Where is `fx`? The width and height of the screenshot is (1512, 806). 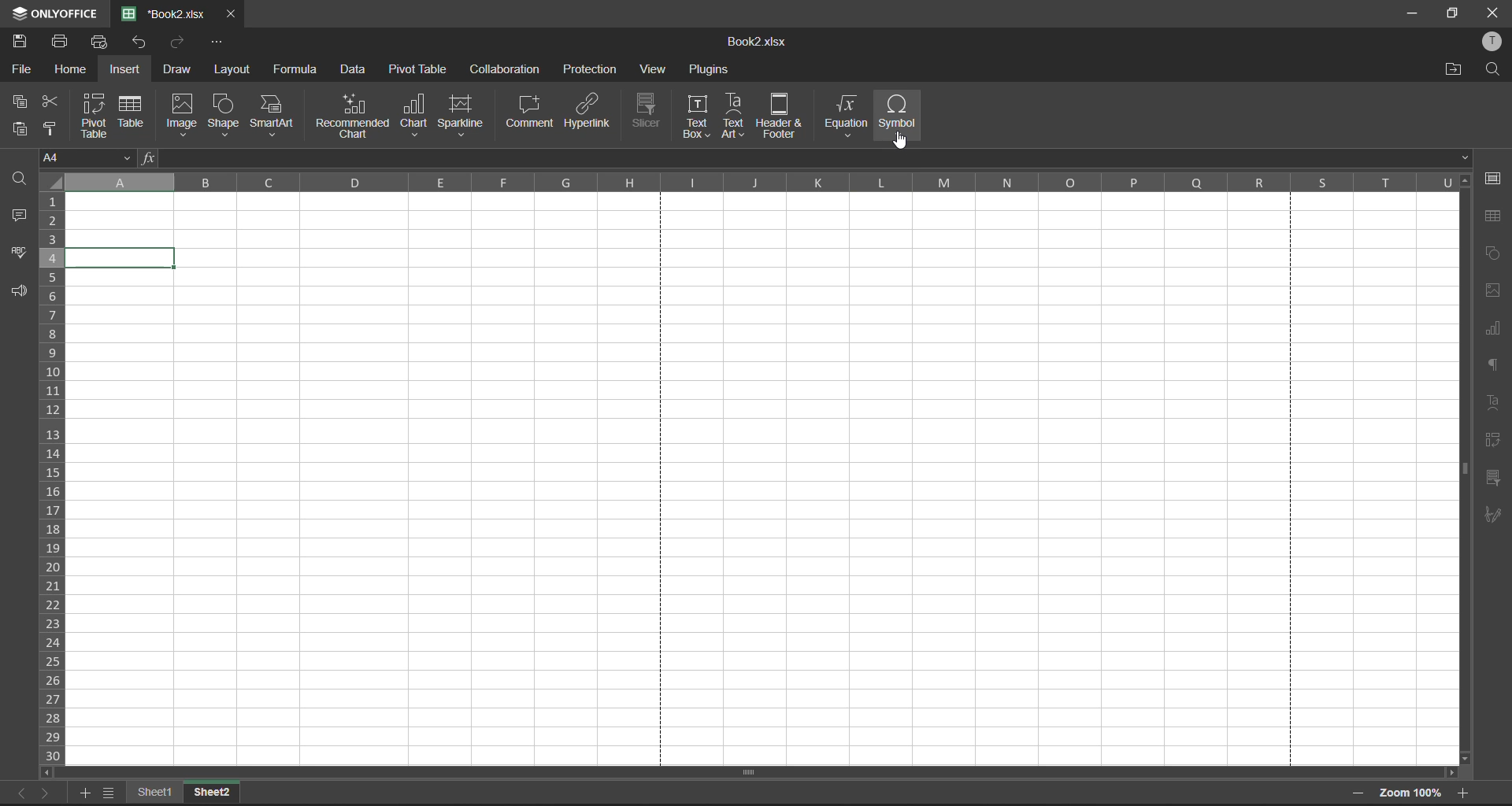 fx is located at coordinates (148, 159).